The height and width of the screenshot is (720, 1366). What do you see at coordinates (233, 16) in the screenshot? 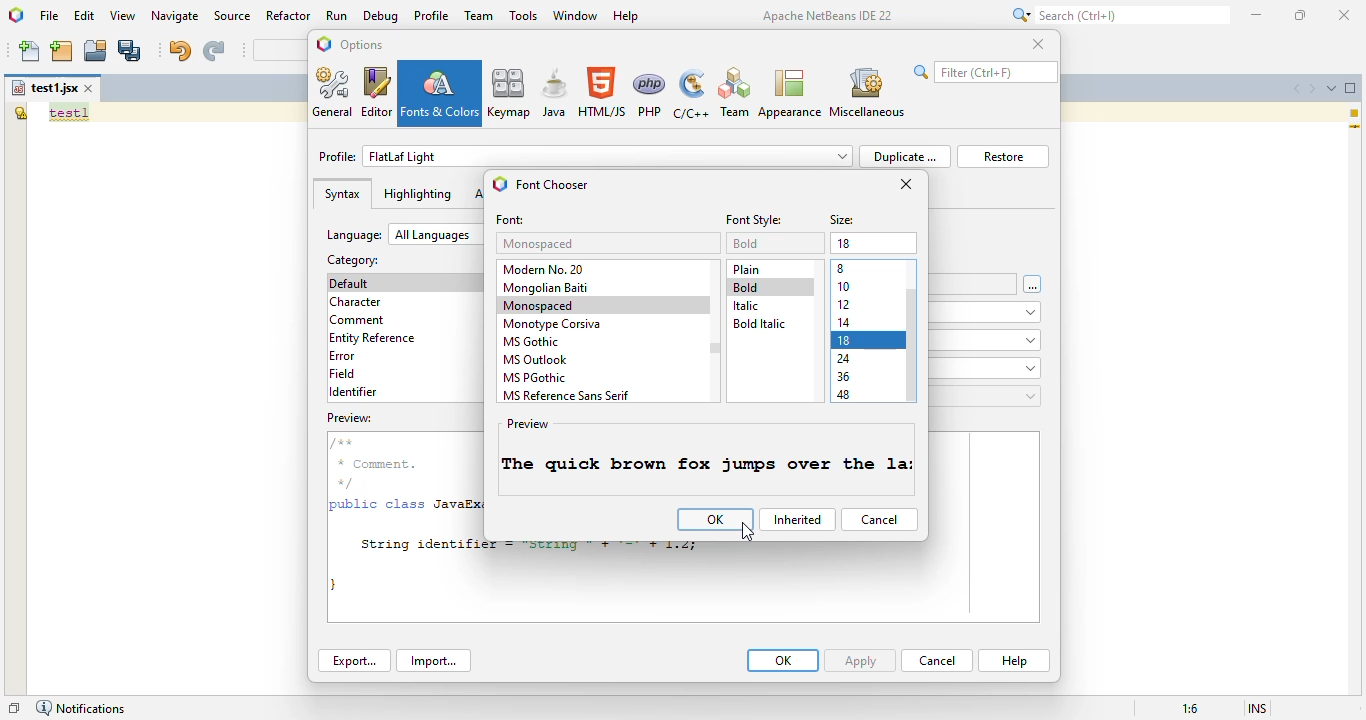
I see `source` at bounding box center [233, 16].